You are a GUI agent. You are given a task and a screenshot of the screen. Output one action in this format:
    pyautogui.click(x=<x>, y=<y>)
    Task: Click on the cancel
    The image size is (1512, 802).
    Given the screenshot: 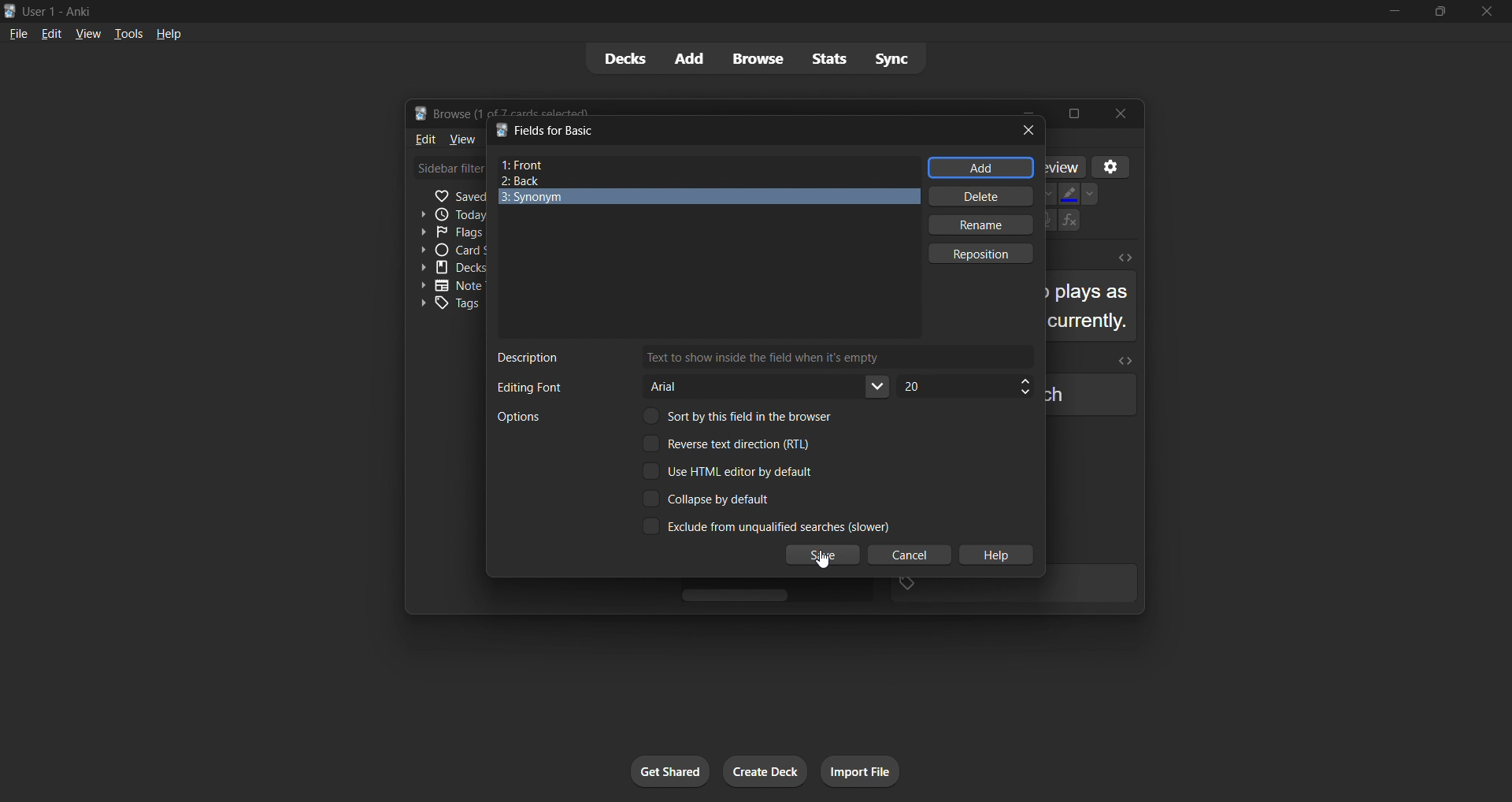 What is the action you would take?
    pyautogui.click(x=904, y=555)
    